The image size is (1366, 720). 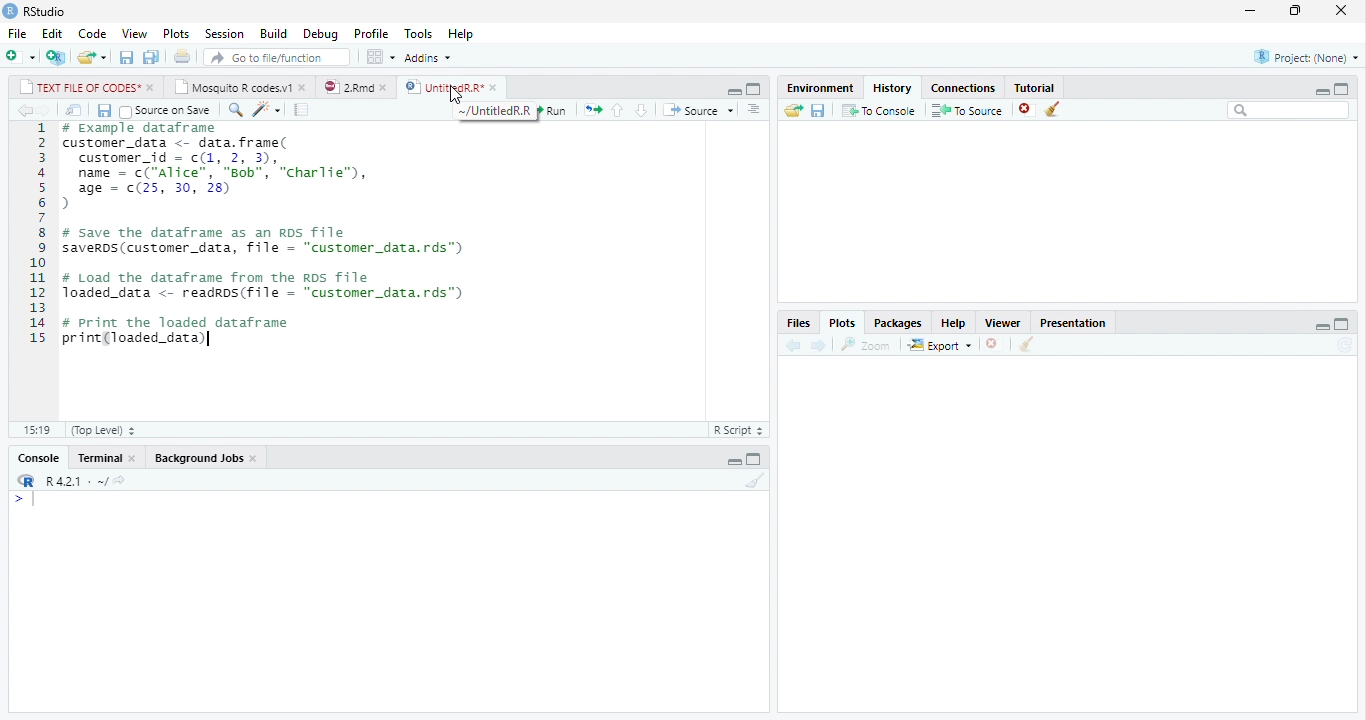 I want to click on back, so click(x=793, y=346).